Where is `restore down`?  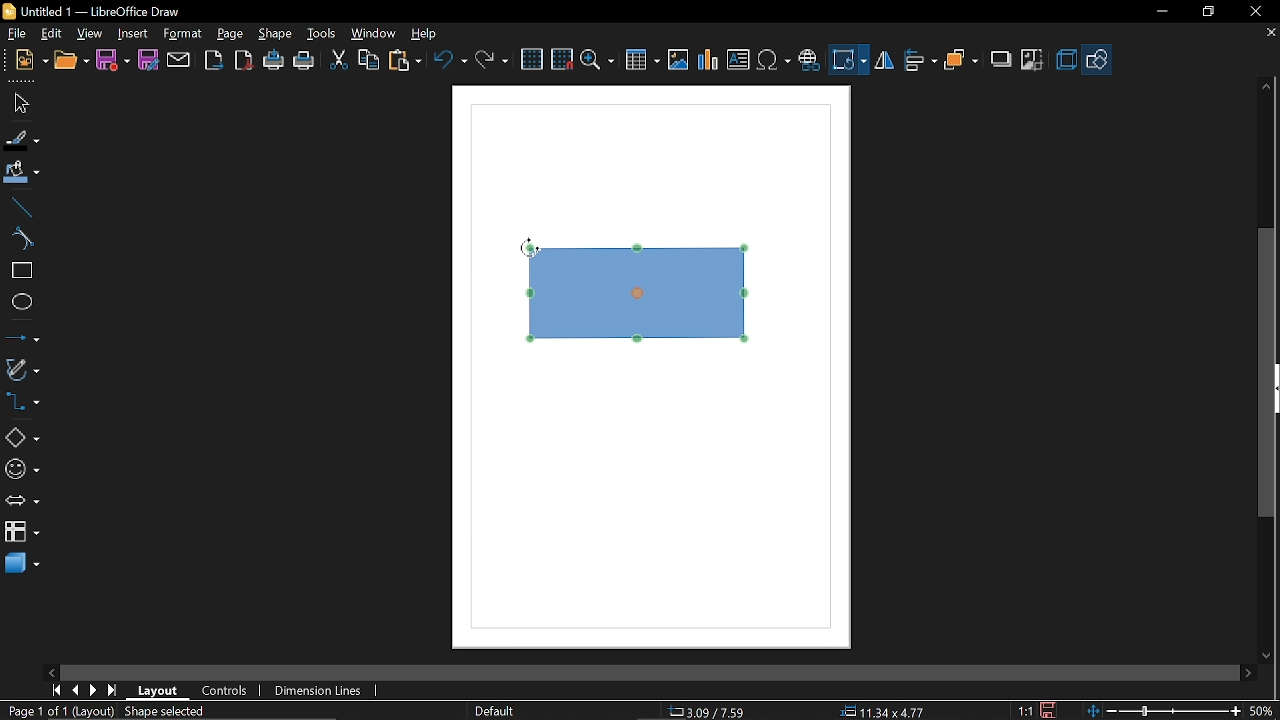
restore down is located at coordinates (1208, 12).